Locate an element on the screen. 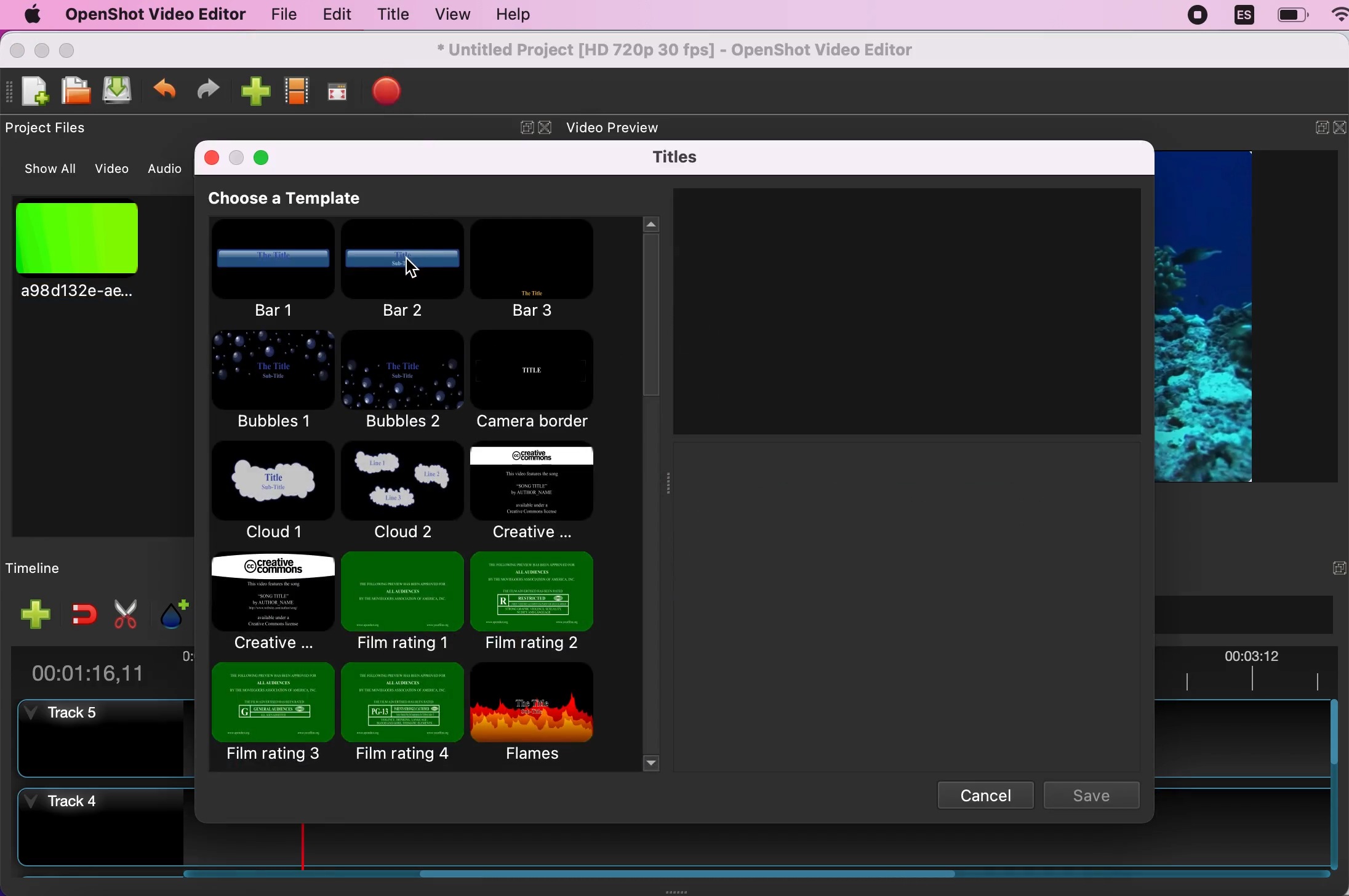 This screenshot has width=1349, height=896. cut is located at coordinates (124, 614).